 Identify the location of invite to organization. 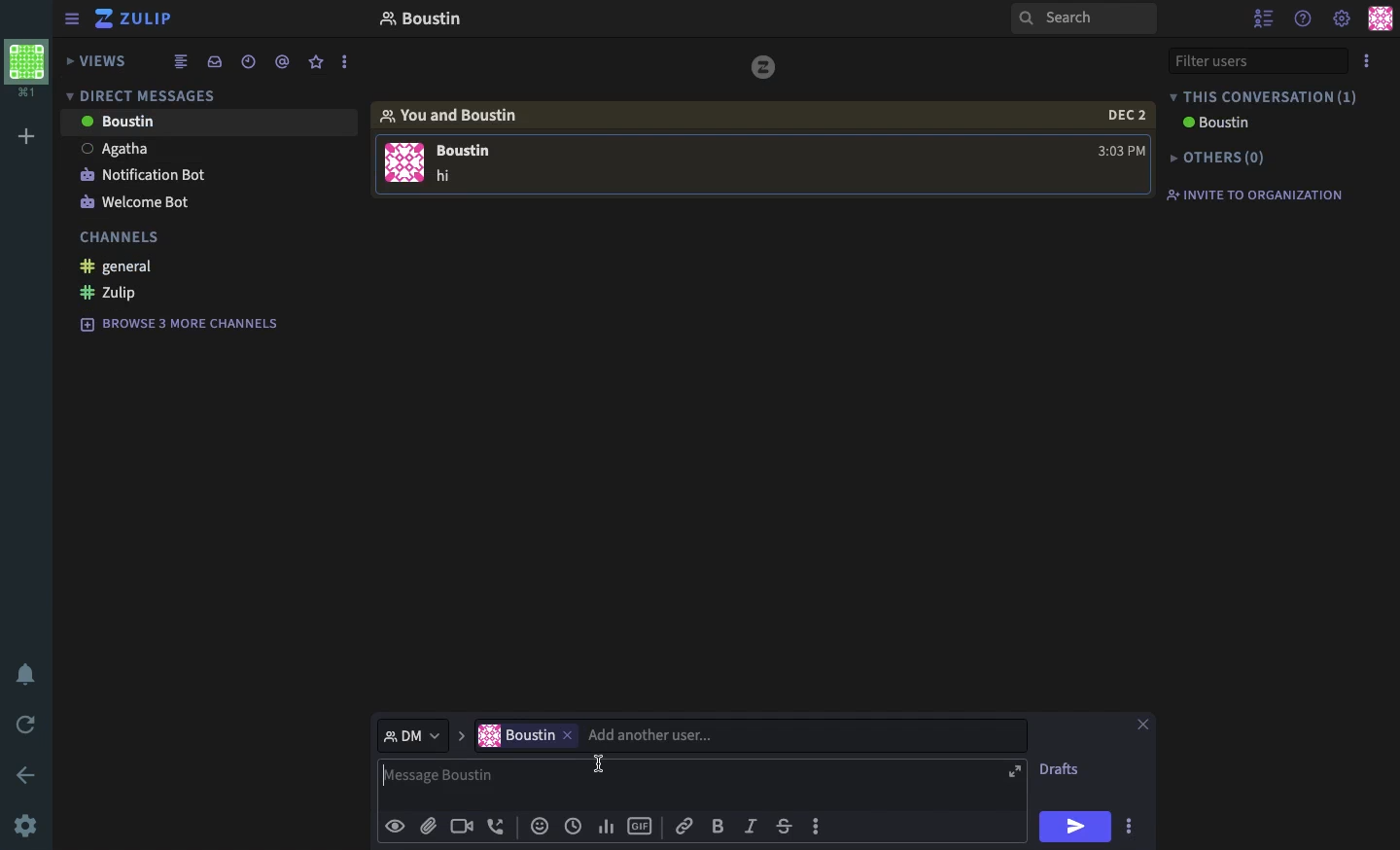
(1263, 194).